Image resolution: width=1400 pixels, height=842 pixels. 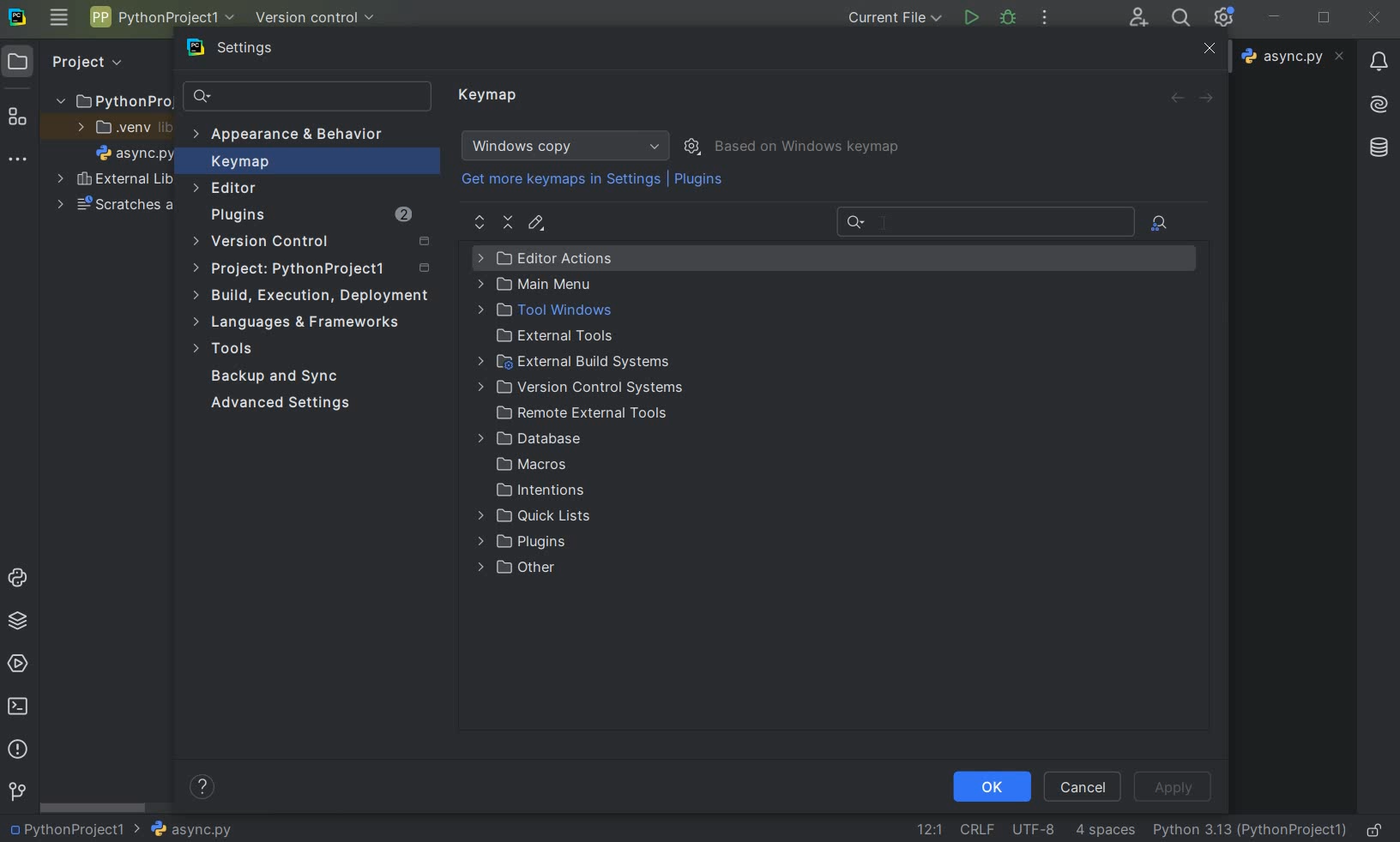 What do you see at coordinates (573, 361) in the screenshot?
I see `external build systems` at bounding box center [573, 361].